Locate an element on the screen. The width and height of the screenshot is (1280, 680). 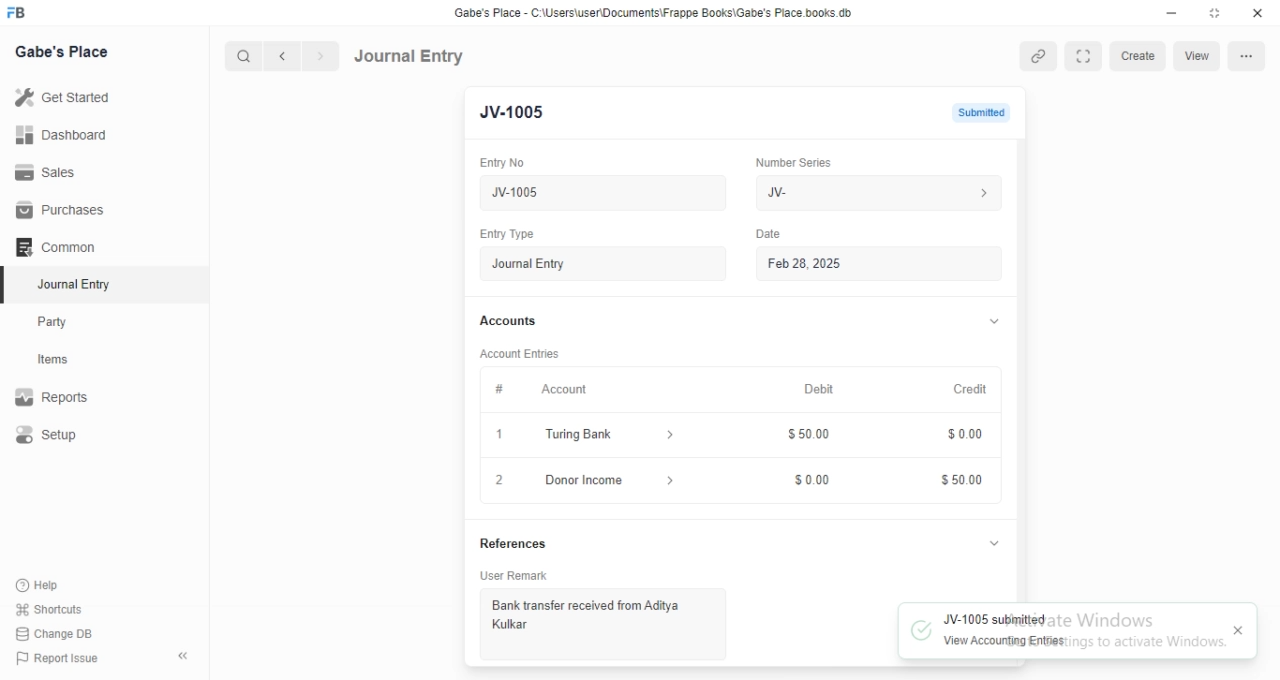
turing bank is located at coordinates (606, 436).